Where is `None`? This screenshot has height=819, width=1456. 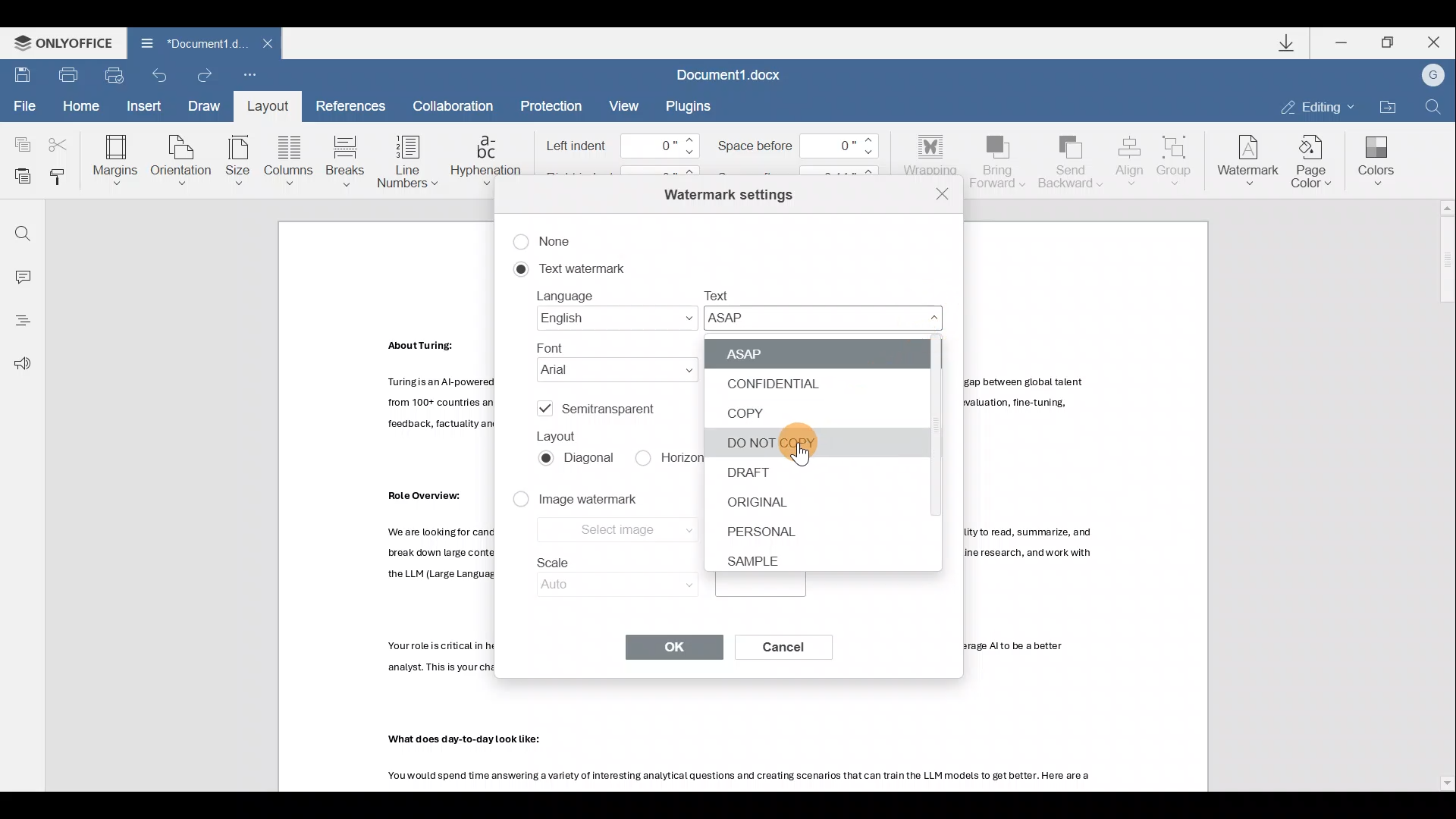
None is located at coordinates (554, 238).